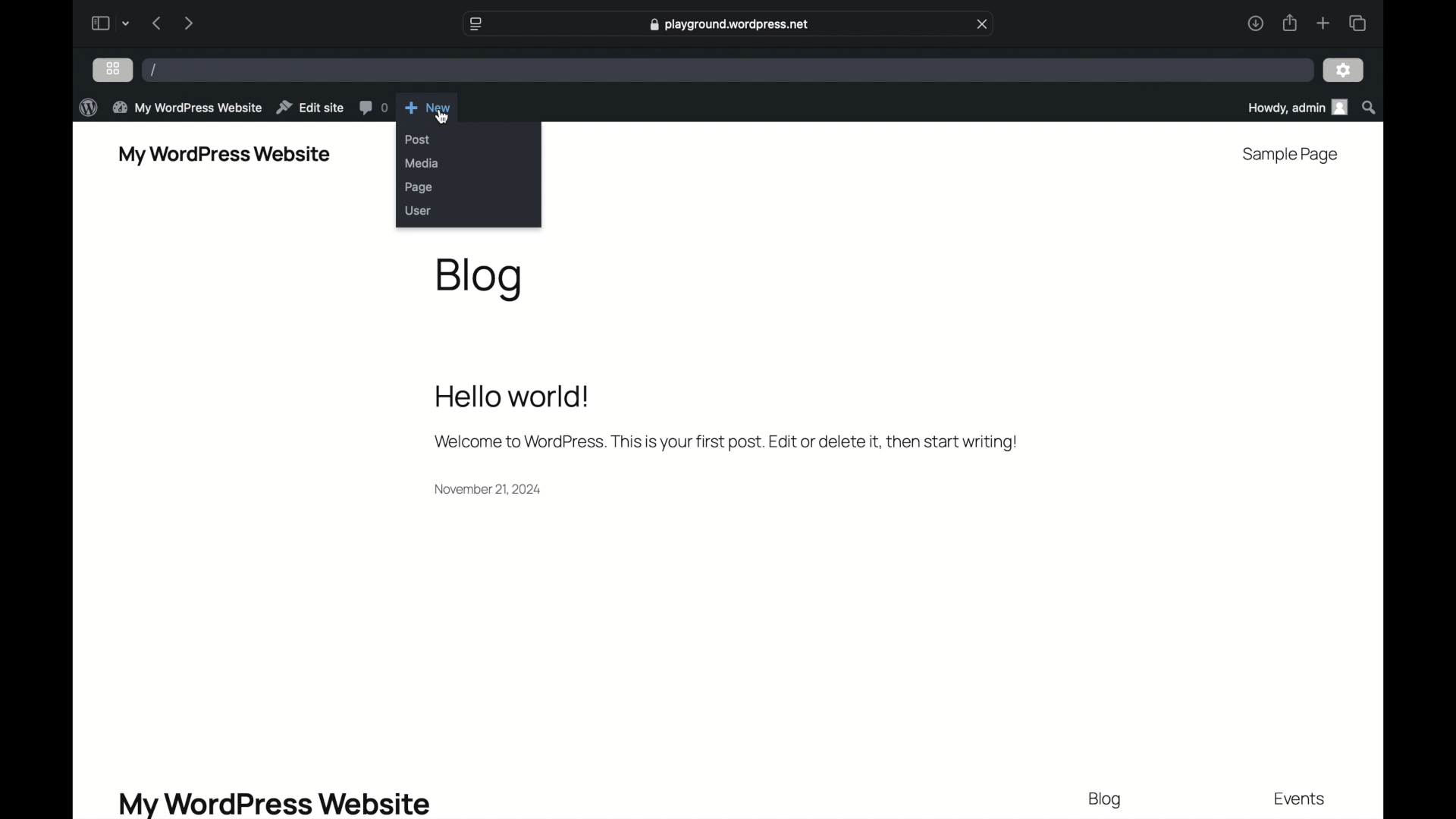 This screenshot has width=1456, height=819. What do you see at coordinates (224, 155) in the screenshot?
I see `my wordpress website` at bounding box center [224, 155].